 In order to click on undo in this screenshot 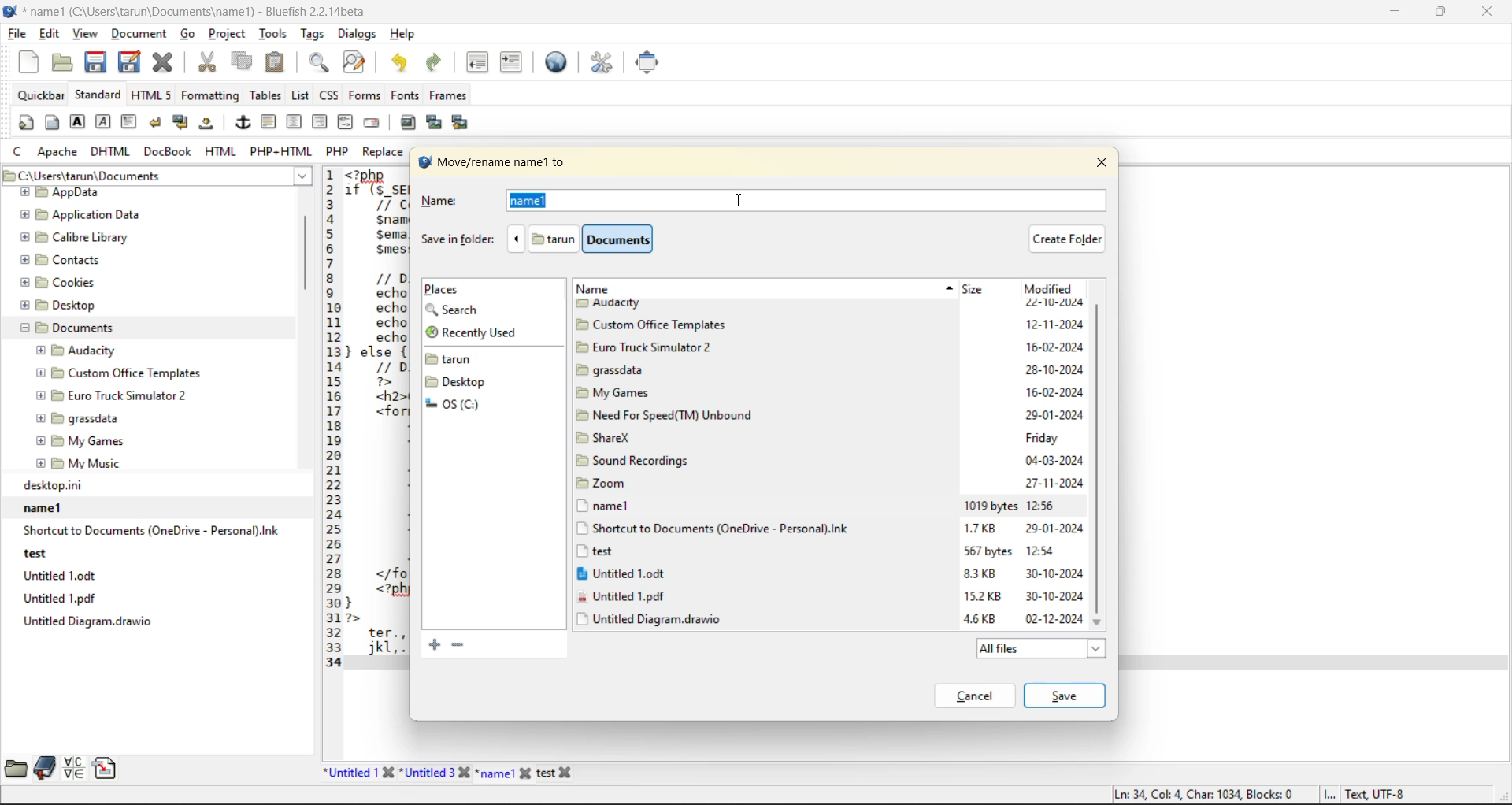, I will do `click(402, 63)`.